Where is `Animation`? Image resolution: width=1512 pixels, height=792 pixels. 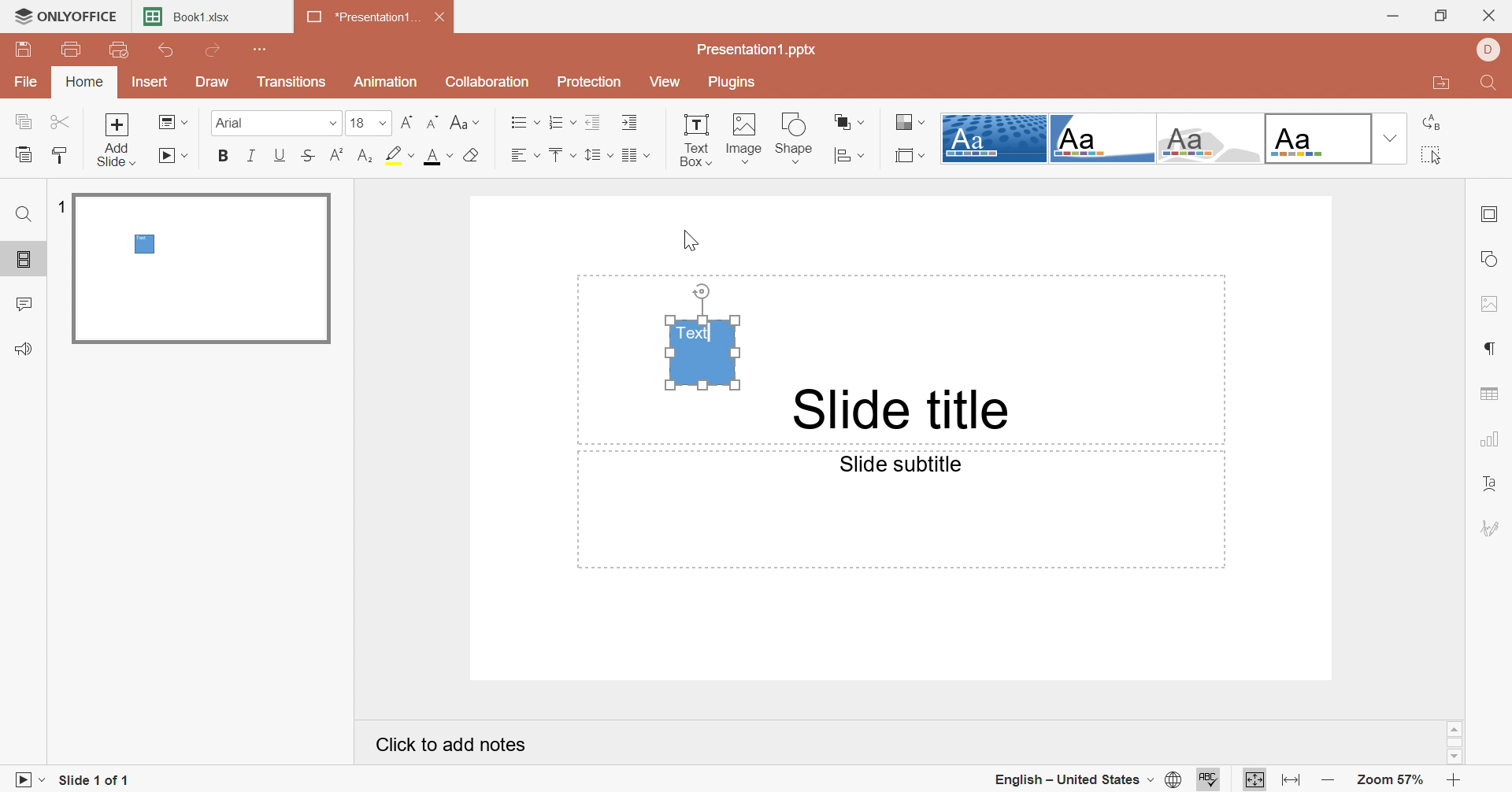
Animation is located at coordinates (384, 80).